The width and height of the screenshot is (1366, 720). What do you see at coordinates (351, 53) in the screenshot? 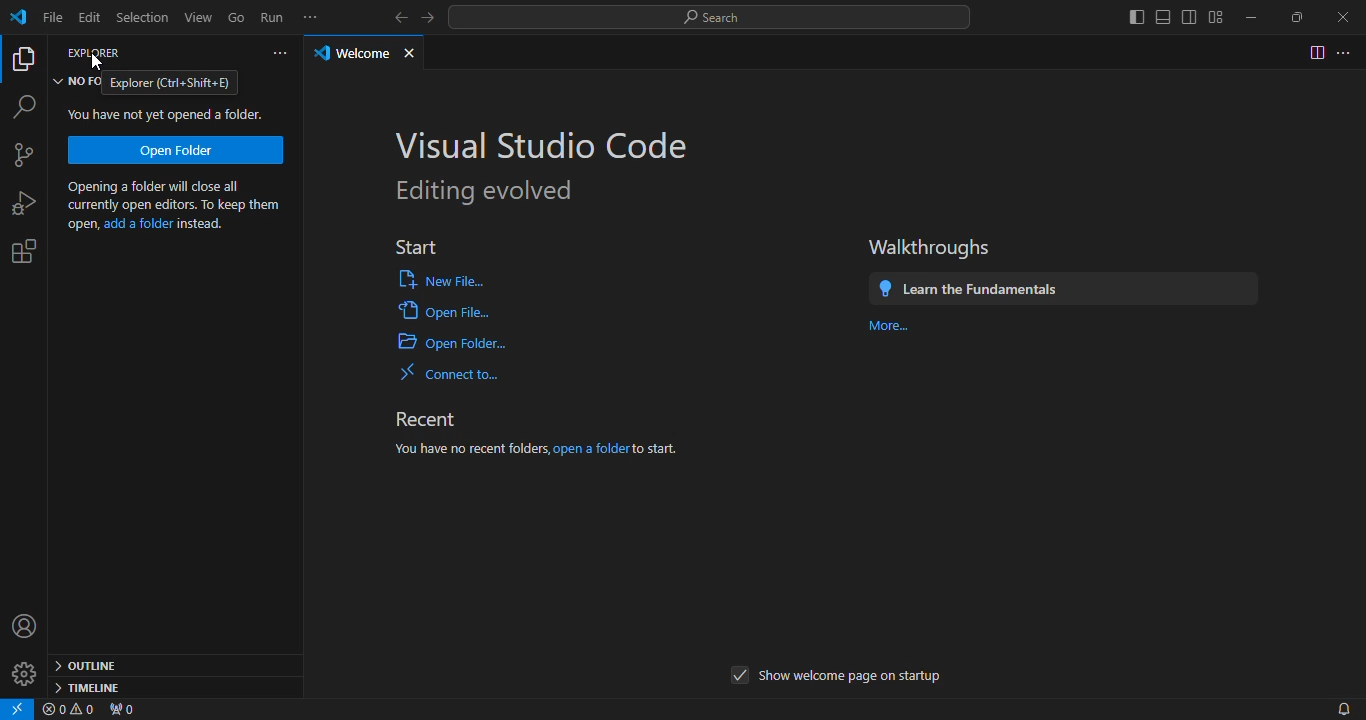
I see `welcome` at bounding box center [351, 53].